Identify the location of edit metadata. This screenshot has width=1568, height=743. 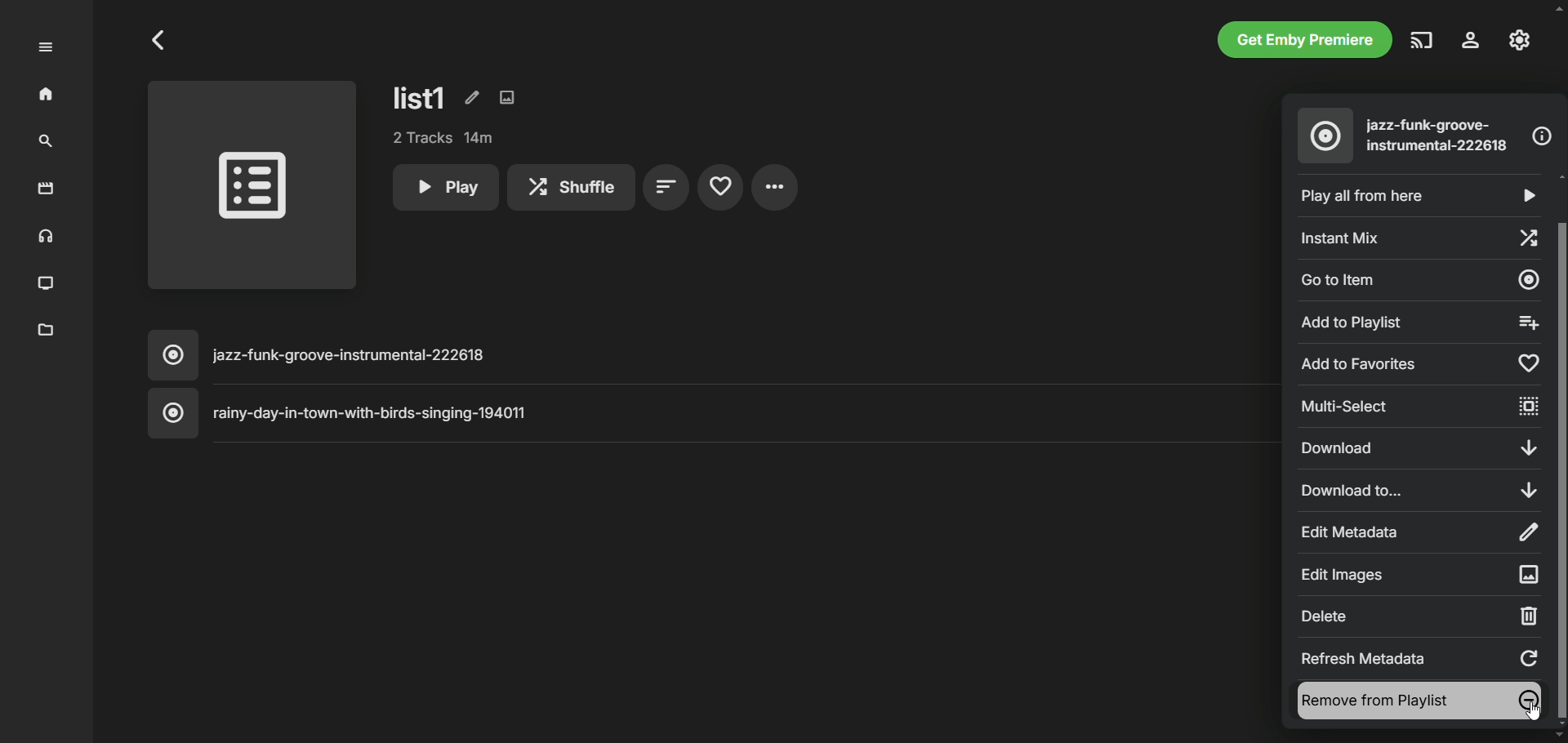
(470, 96).